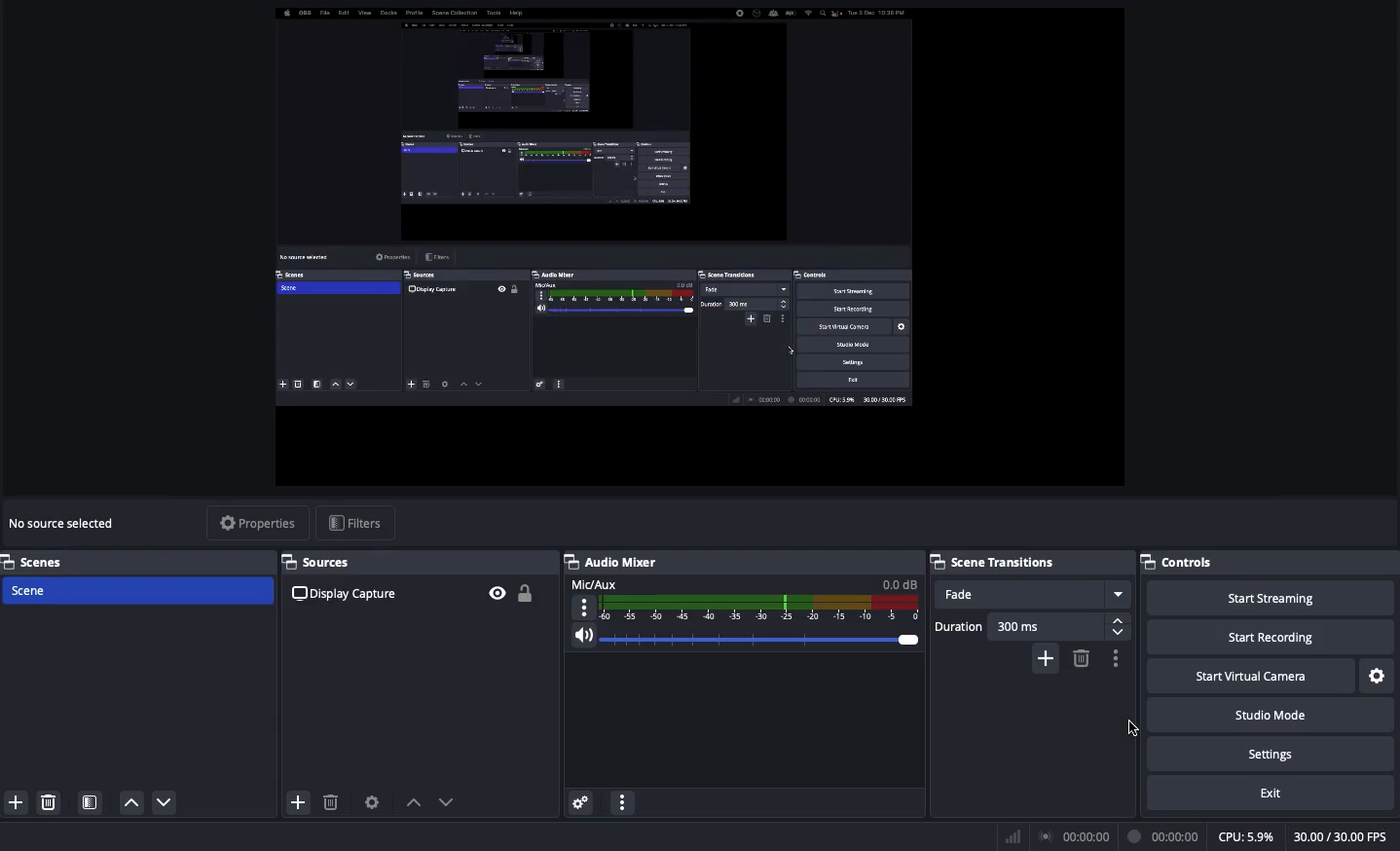 The image size is (1400, 851). What do you see at coordinates (410, 802) in the screenshot?
I see `Move up` at bounding box center [410, 802].